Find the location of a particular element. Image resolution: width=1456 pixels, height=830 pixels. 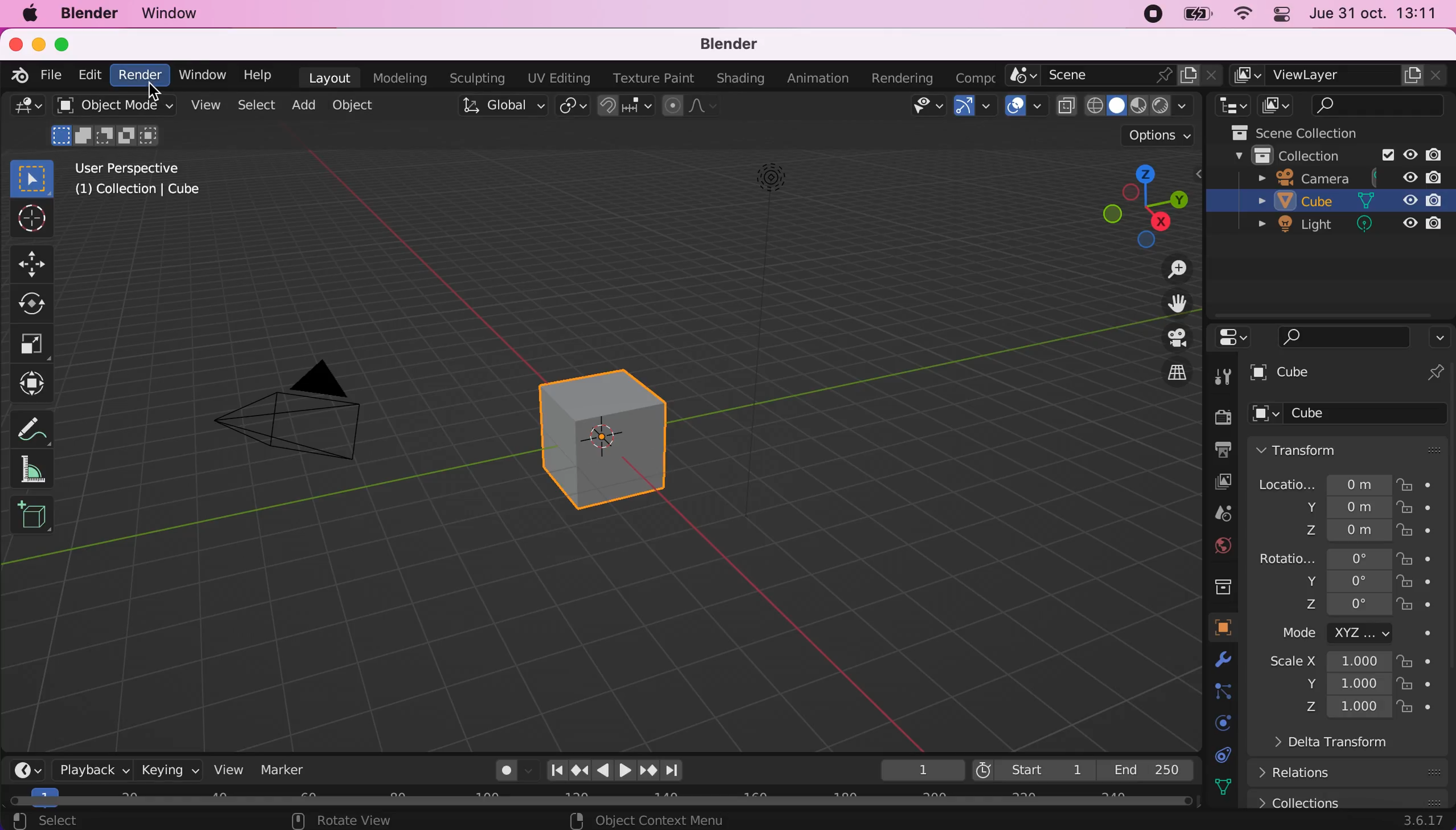

texture paint is located at coordinates (654, 79).